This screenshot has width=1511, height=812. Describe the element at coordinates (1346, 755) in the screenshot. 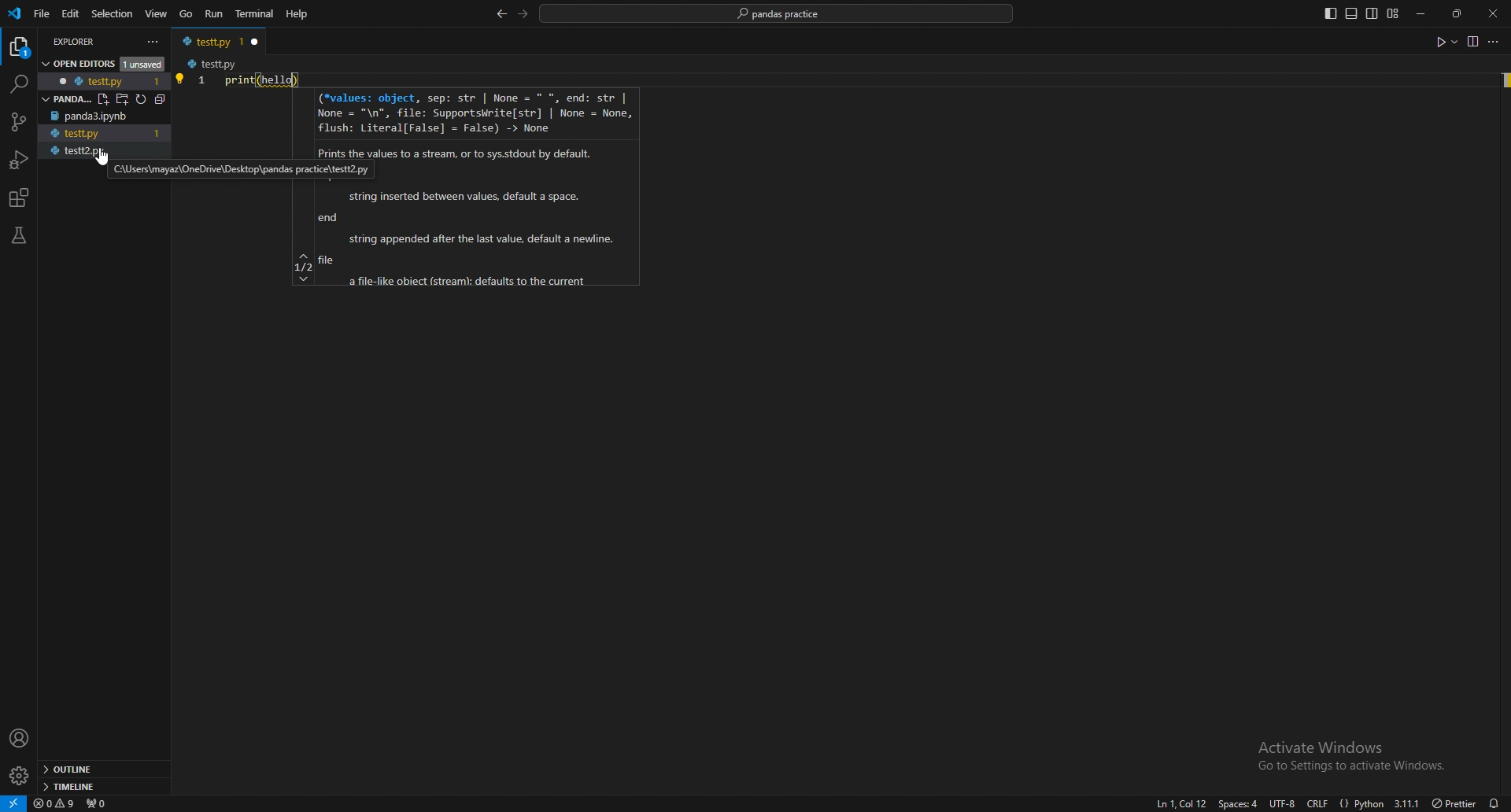

I see `Activate Windows
Go to Settings to activate Windows.` at that location.